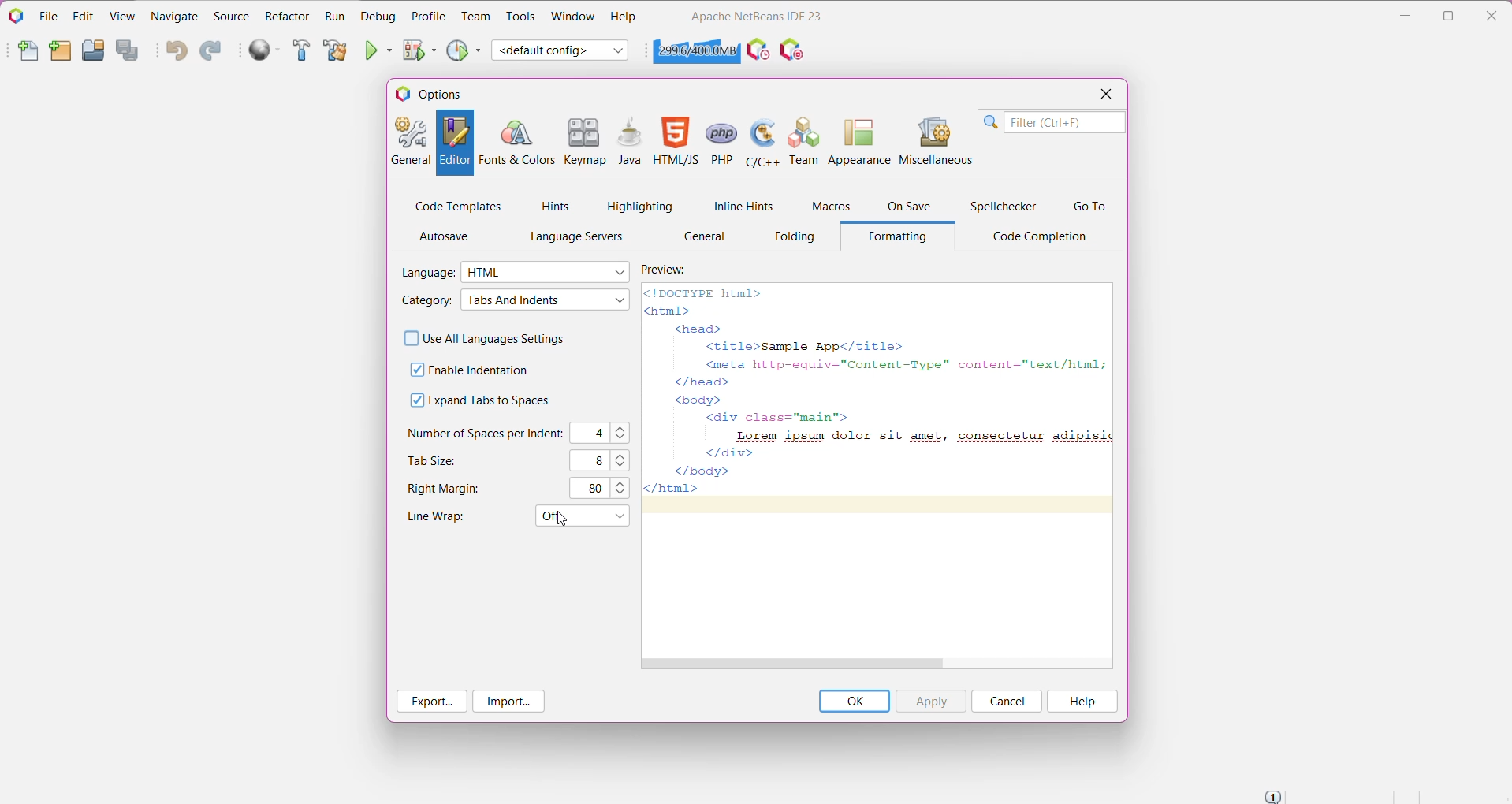 This screenshot has width=1512, height=804. I want to click on cursor, so click(563, 520).